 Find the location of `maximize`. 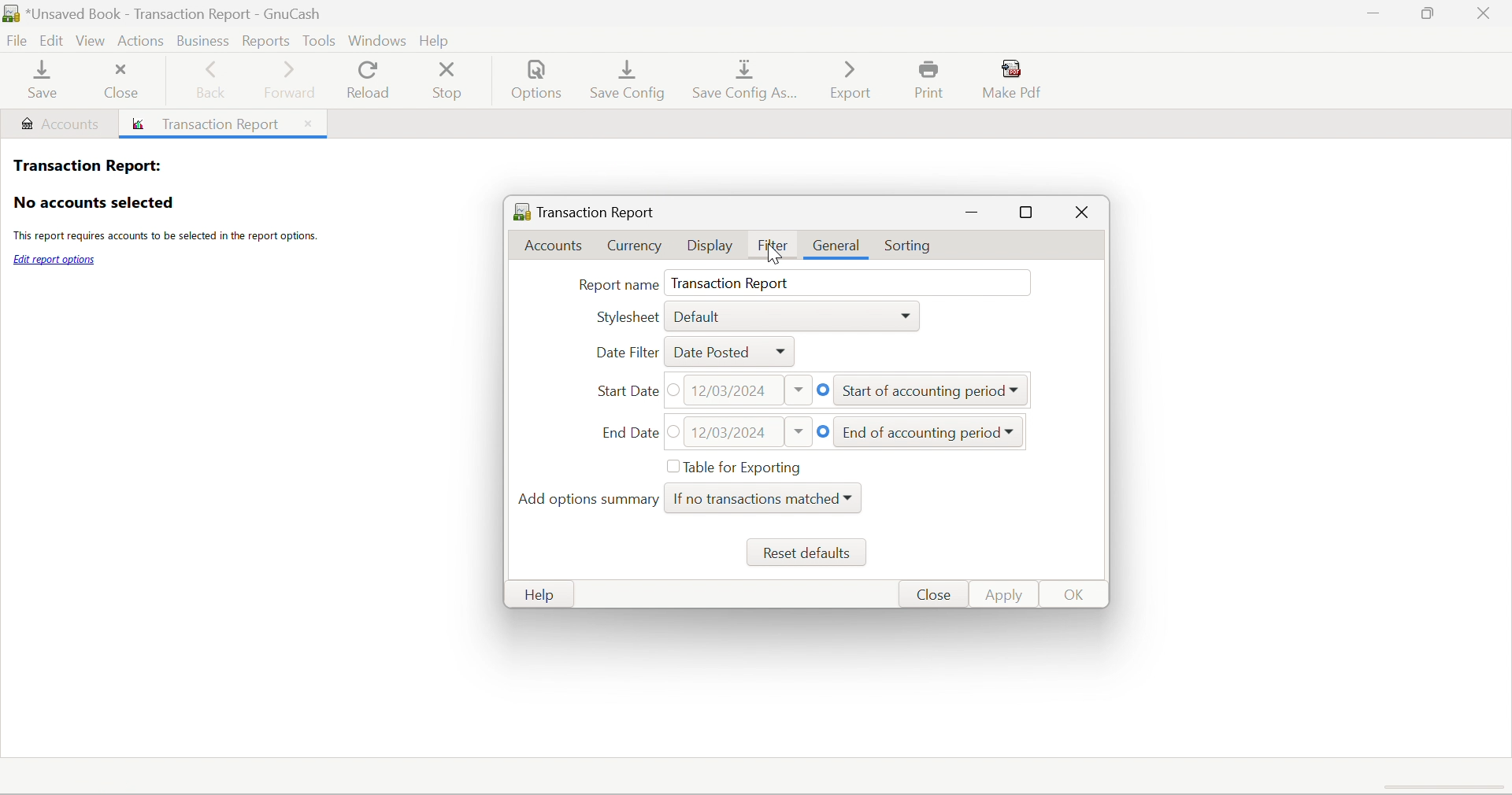

maximize is located at coordinates (1029, 214).